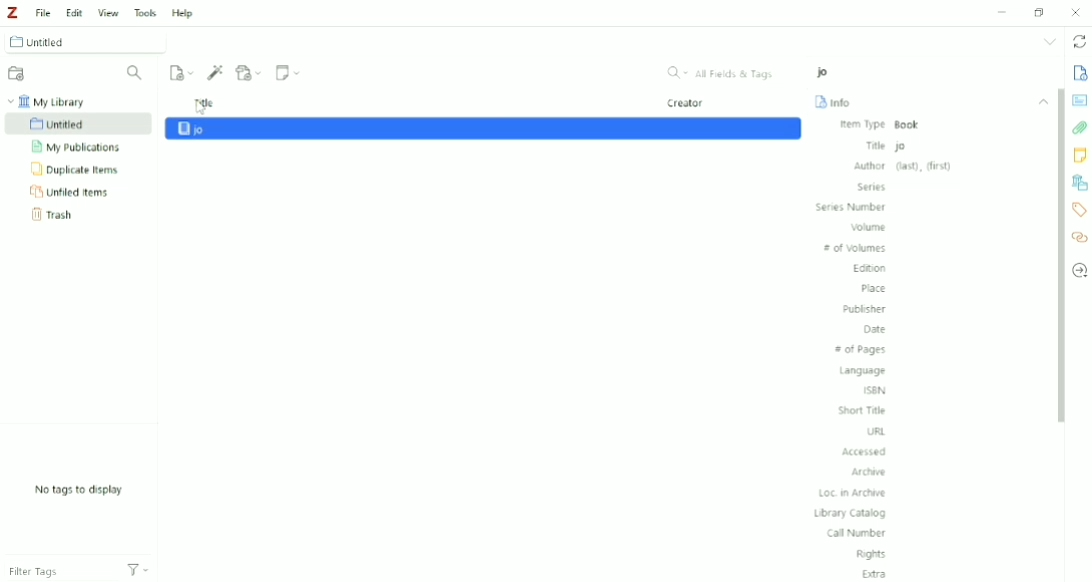 The width and height of the screenshot is (1092, 582). What do you see at coordinates (201, 109) in the screenshot?
I see `Cursor on title` at bounding box center [201, 109].